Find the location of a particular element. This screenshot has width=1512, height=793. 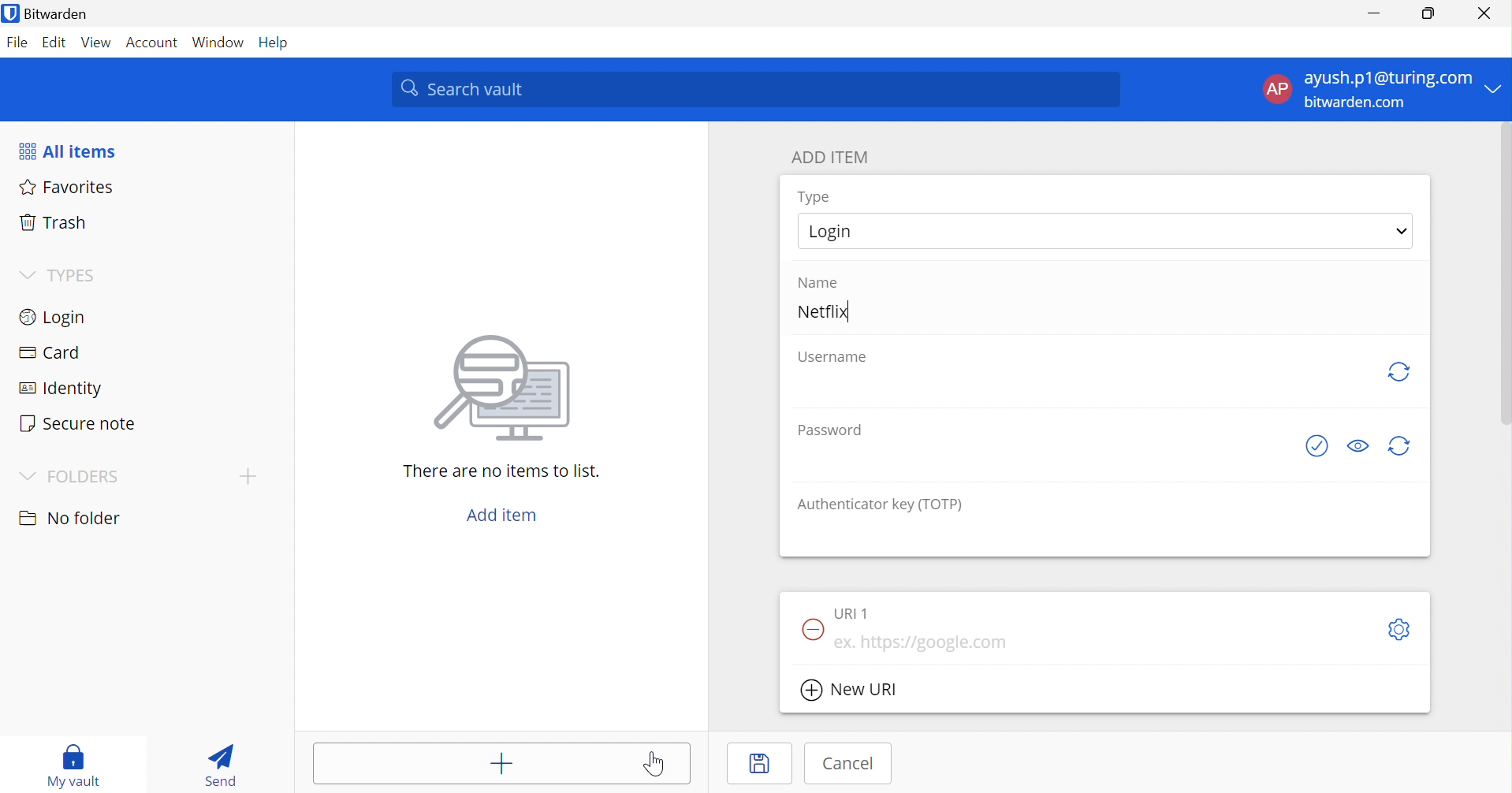

Favorites is located at coordinates (67, 187).